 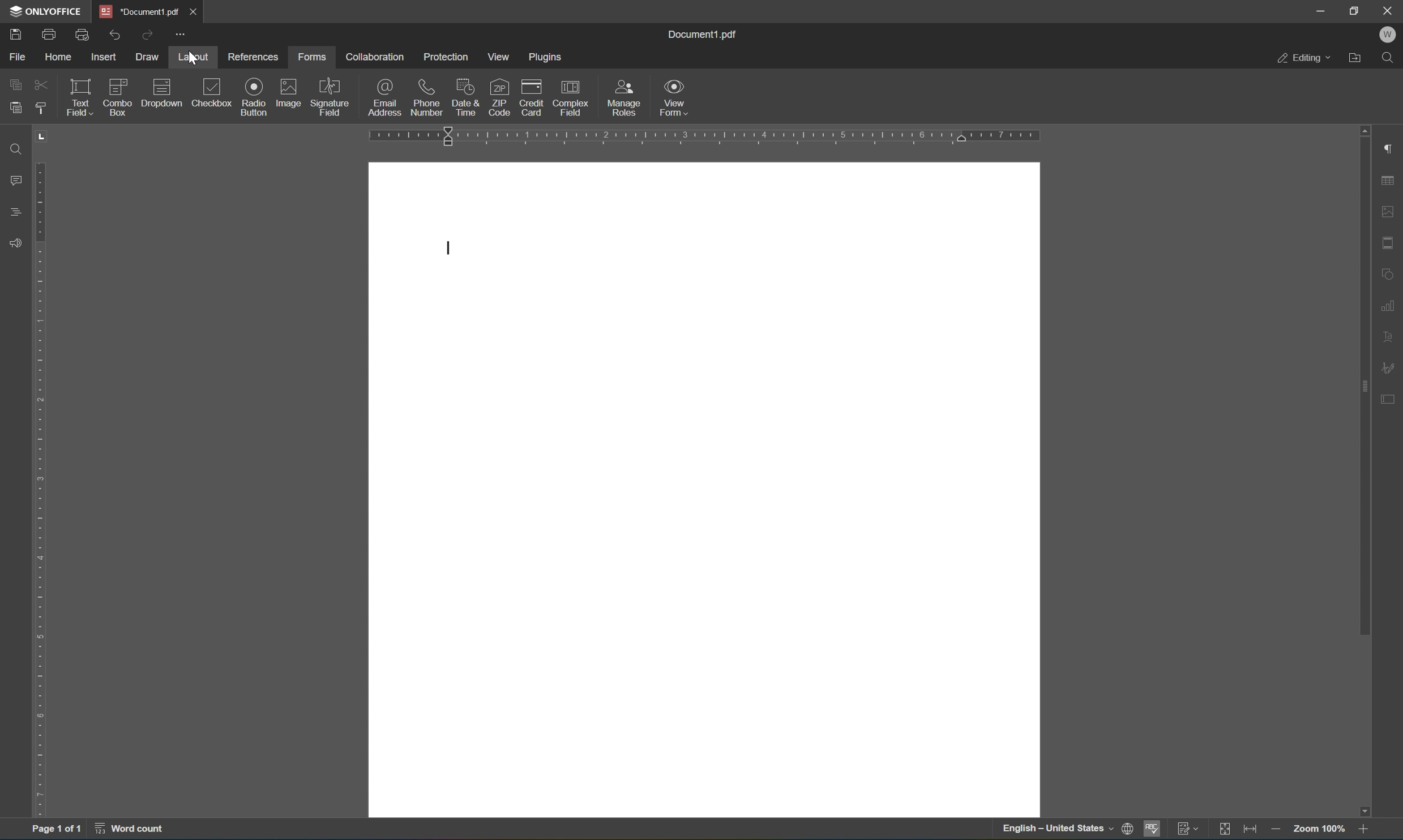 What do you see at coordinates (466, 96) in the screenshot?
I see `date & time` at bounding box center [466, 96].